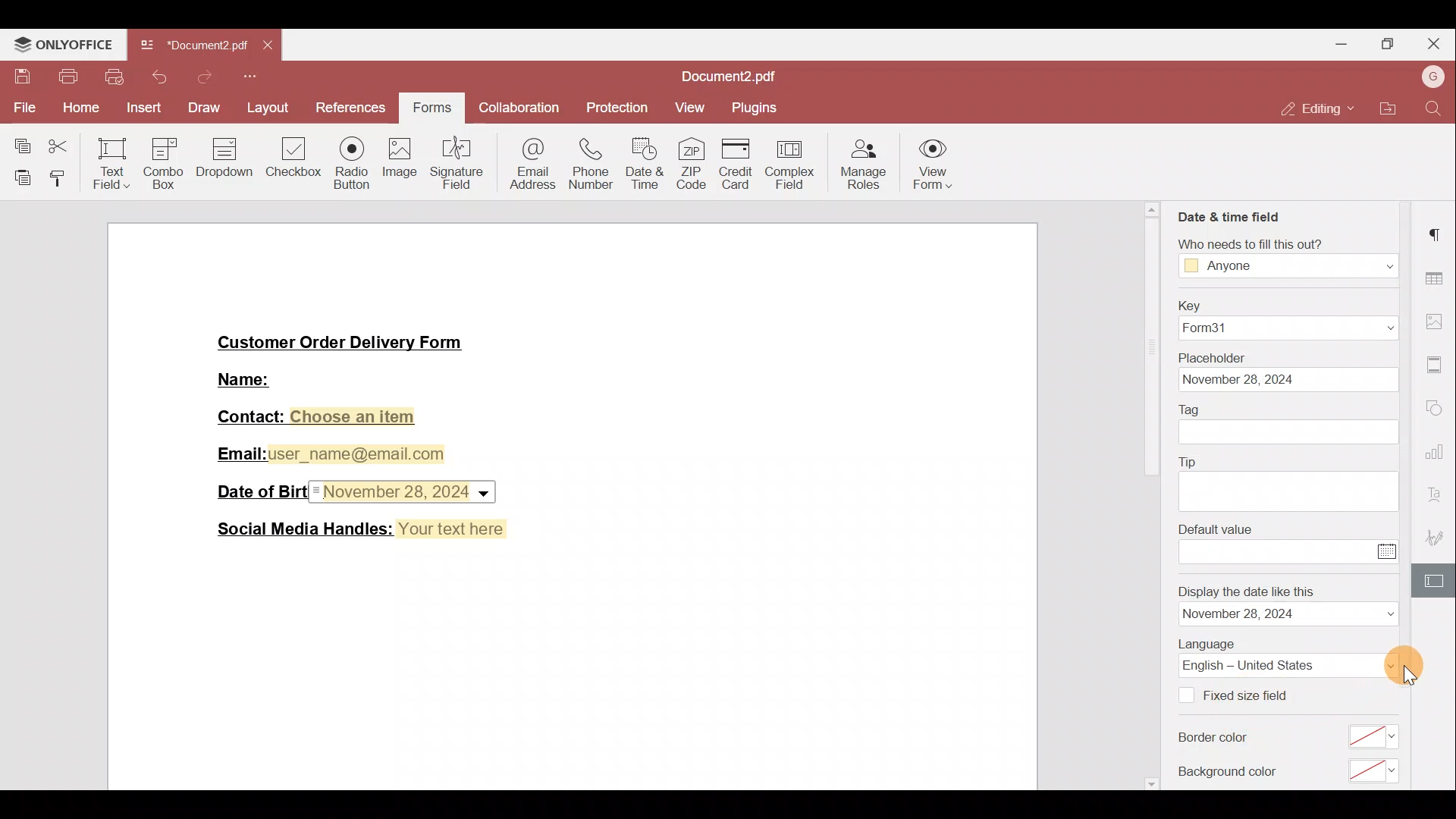 This screenshot has height=819, width=1456. I want to click on Key, so click(1191, 306).